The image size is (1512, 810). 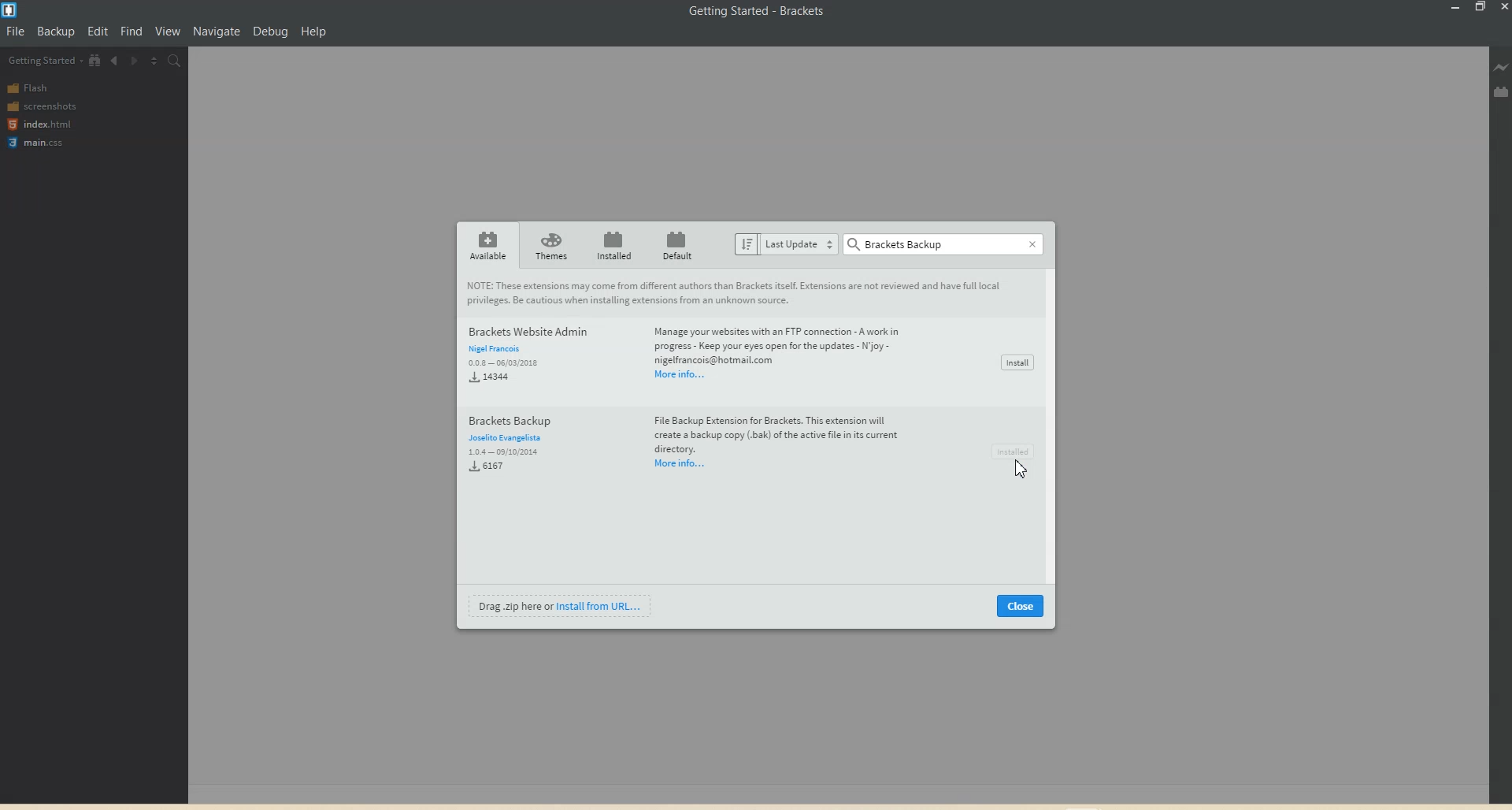 What do you see at coordinates (932, 246) in the screenshot?
I see `Search bar` at bounding box center [932, 246].